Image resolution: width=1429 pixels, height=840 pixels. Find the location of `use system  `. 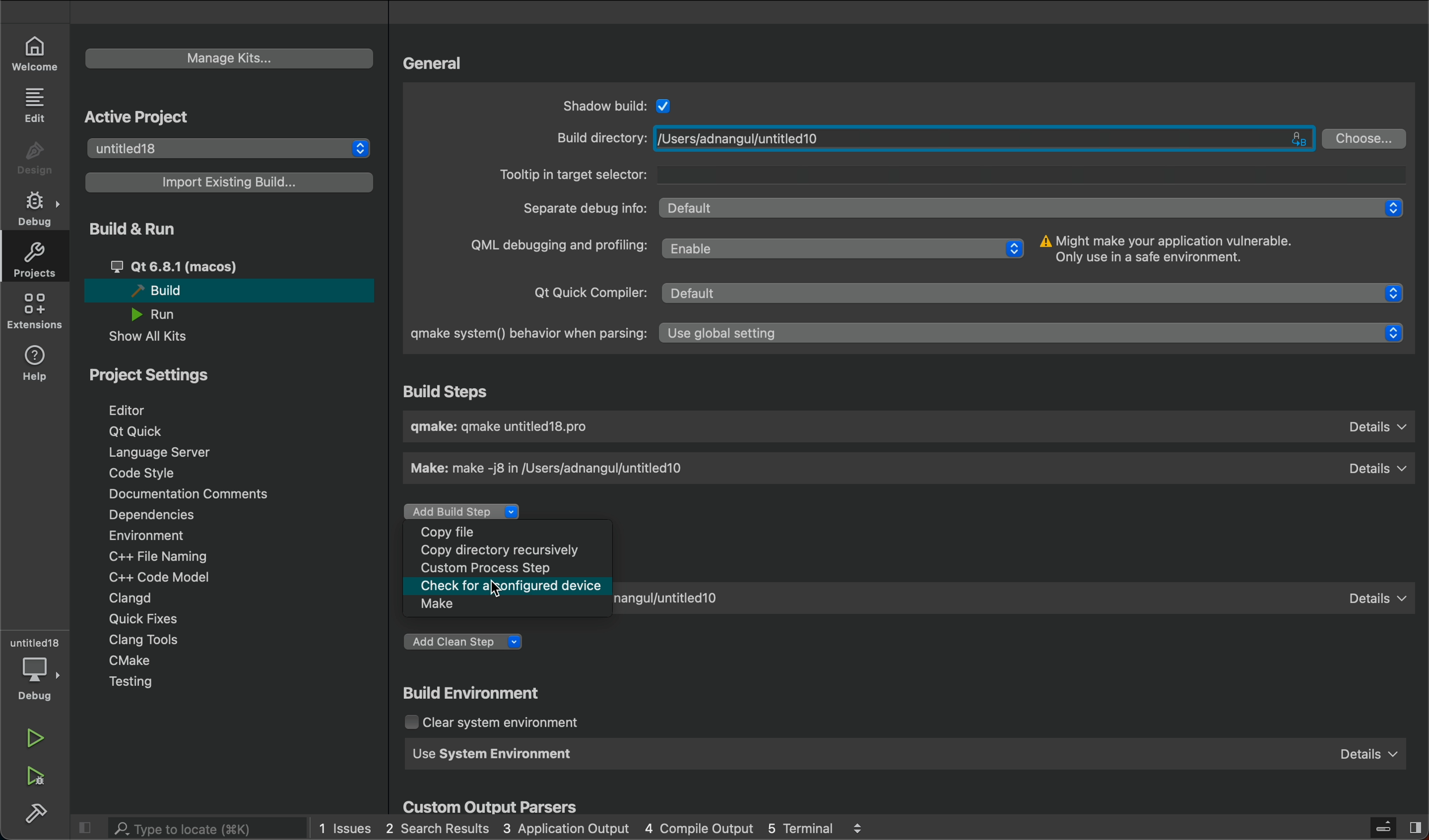

use system   is located at coordinates (915, 754).